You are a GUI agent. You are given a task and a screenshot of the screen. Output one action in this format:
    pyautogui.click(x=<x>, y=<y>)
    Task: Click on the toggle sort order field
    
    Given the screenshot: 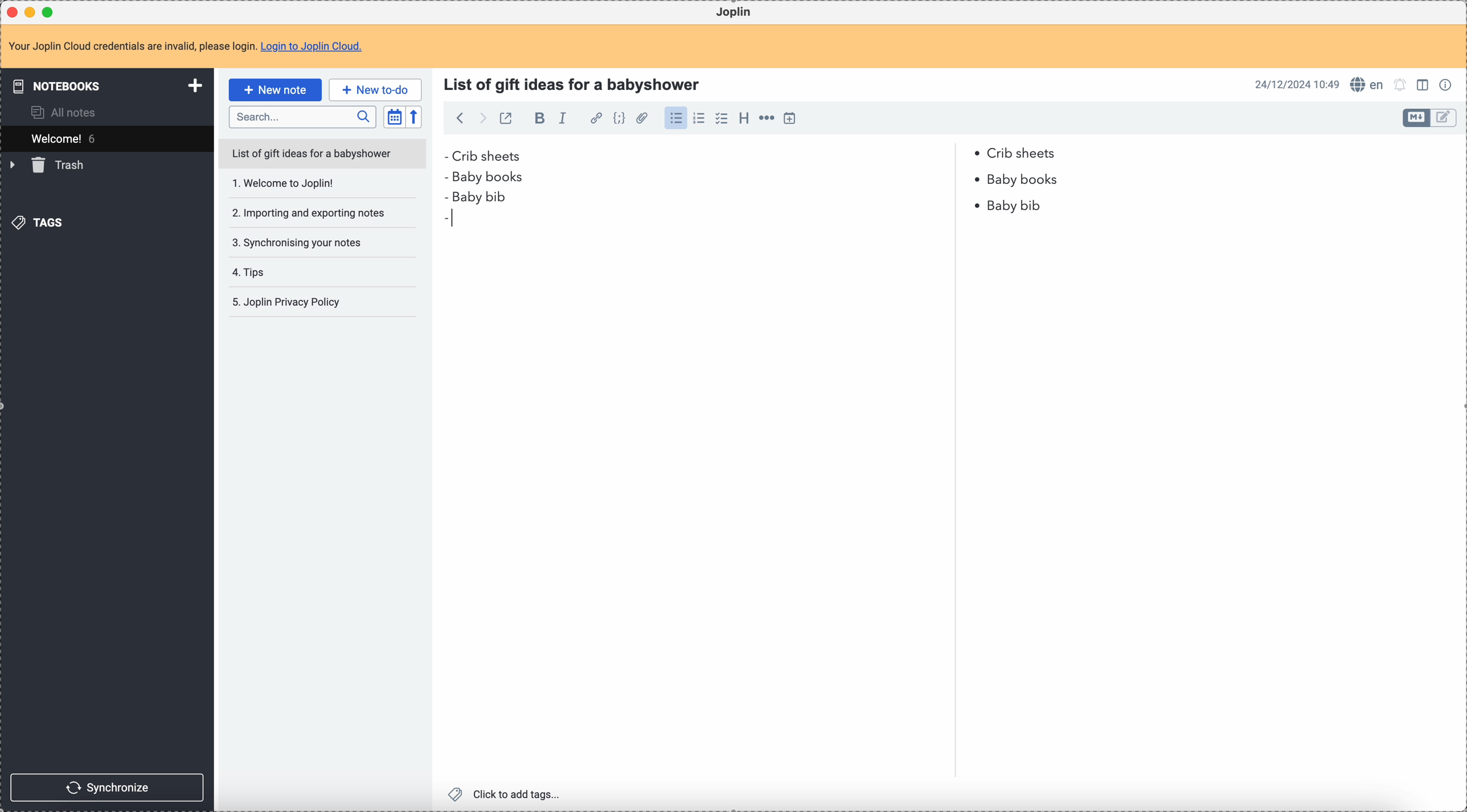 What is the action you would take?
    pyautogui.click(x=394, y=117)
    